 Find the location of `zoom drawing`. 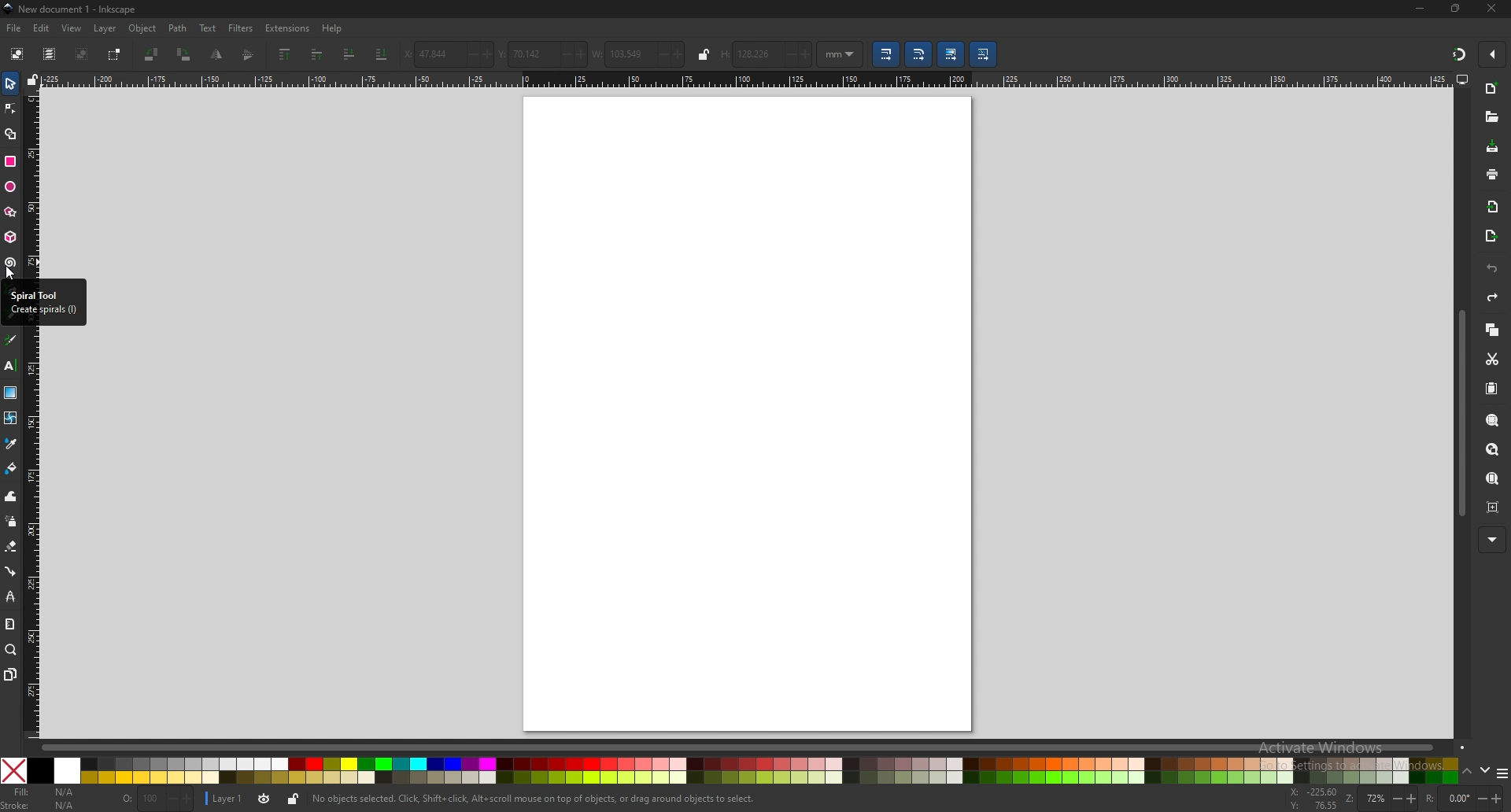

zoom drawing is located at coordinates (1492, 448).